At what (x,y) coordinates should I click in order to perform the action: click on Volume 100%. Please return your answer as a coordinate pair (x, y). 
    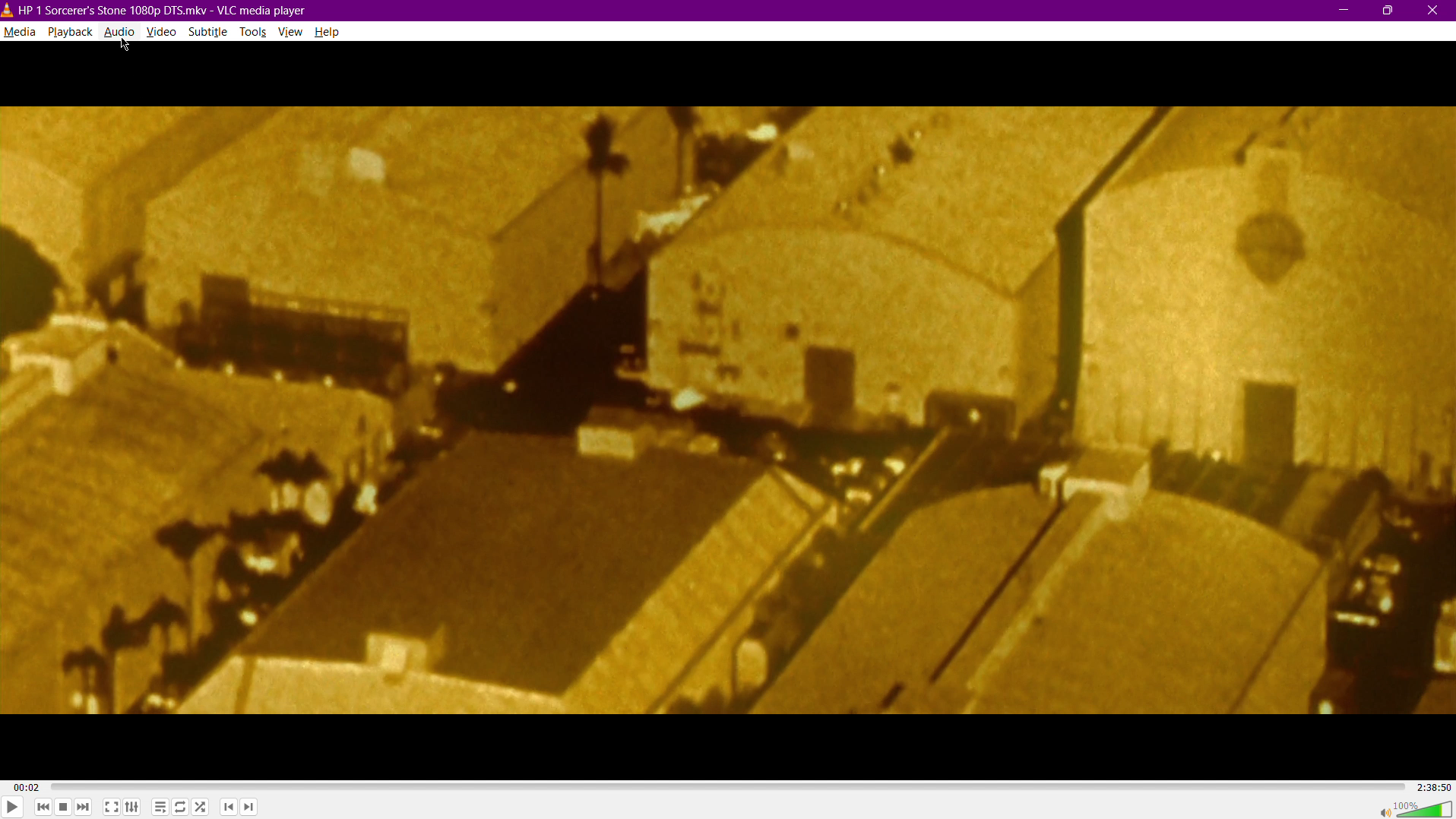
    Looking at the image, I should click on (1410, 808).